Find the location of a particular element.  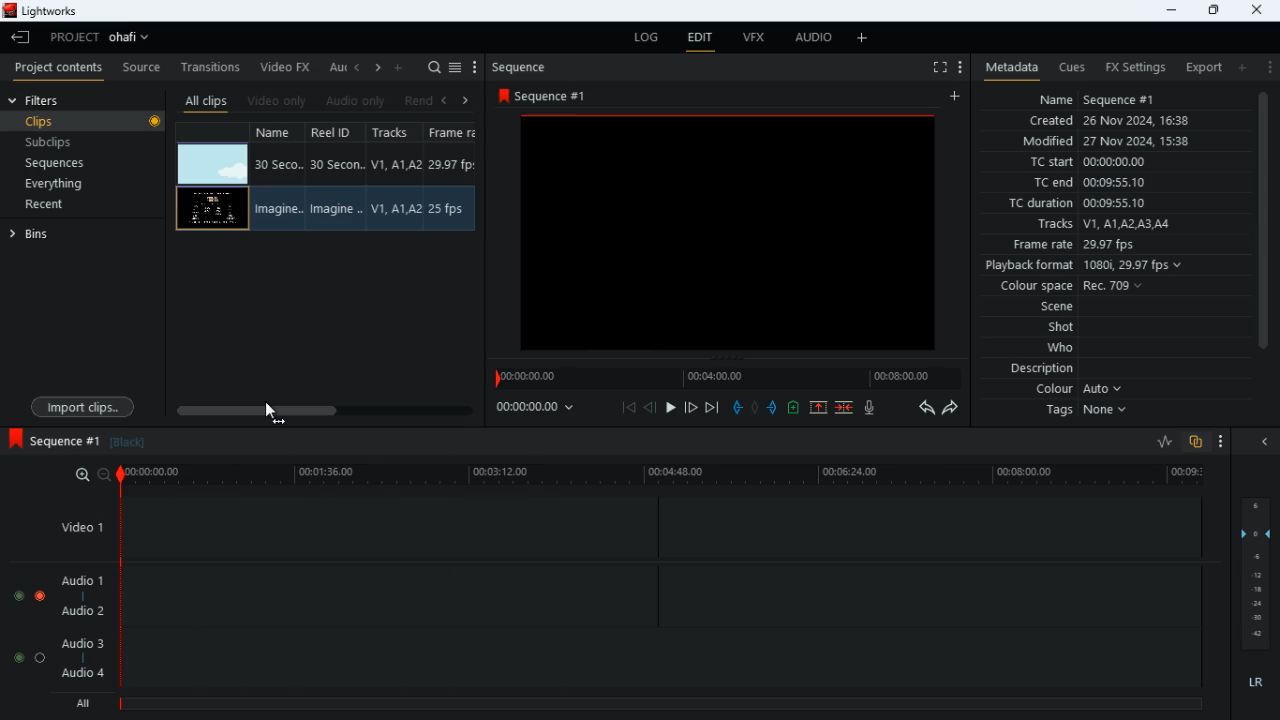

audio selection buttons is located at coordinates (29, 659).